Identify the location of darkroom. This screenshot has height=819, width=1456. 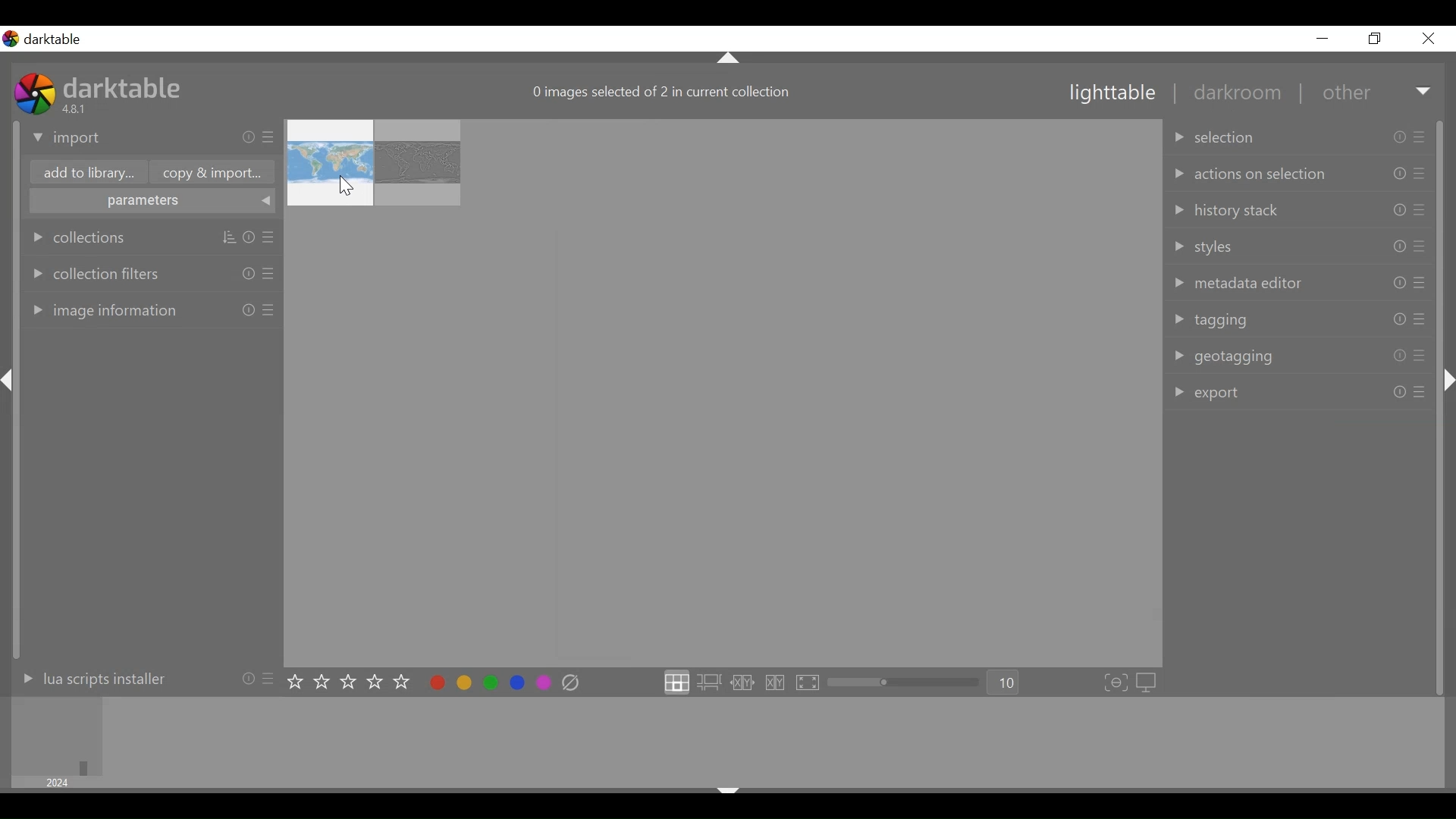
(1235, 95).